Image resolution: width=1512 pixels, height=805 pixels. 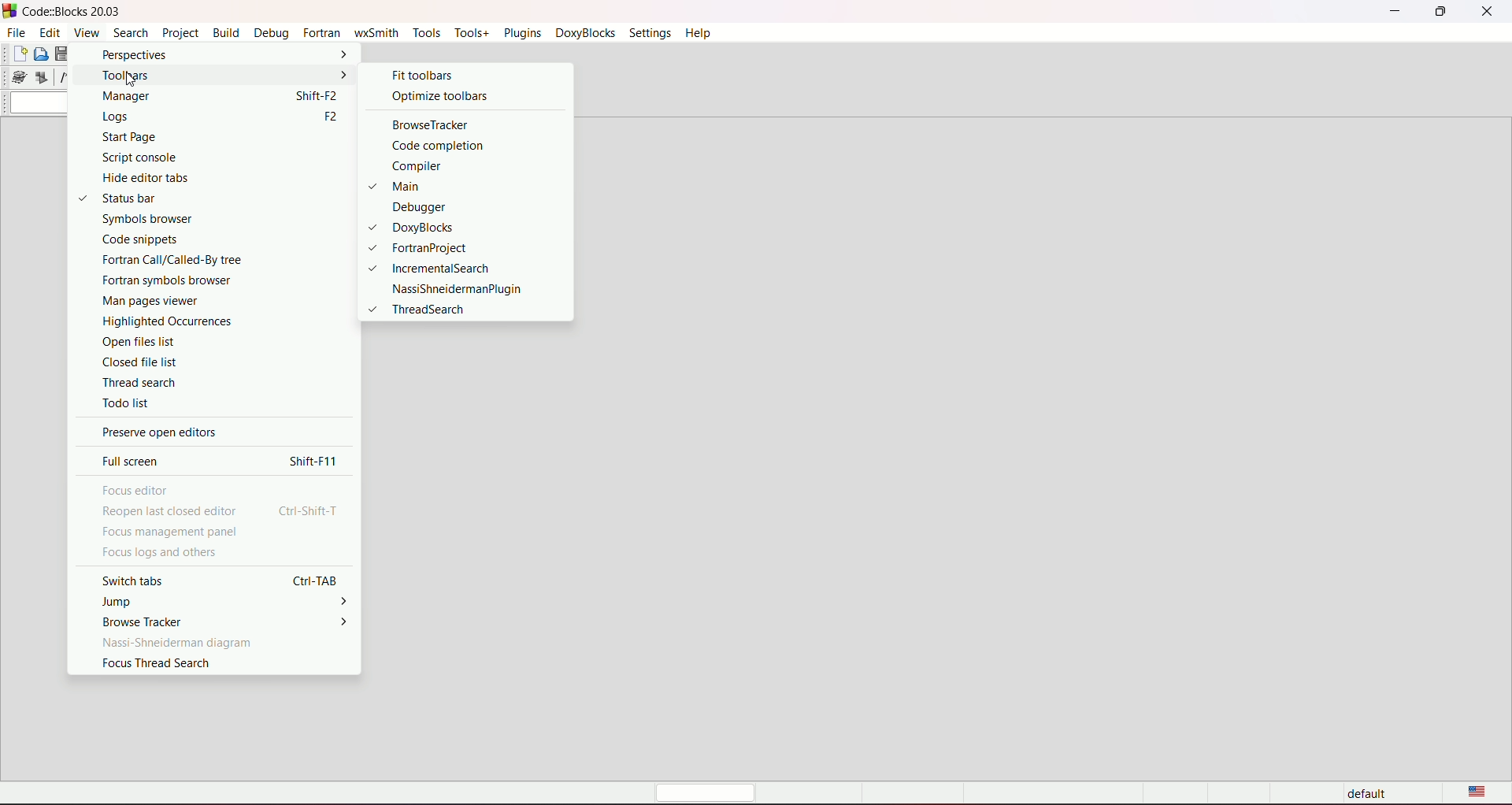 What do you see at coordinates (521, 33) in the screenshot?
I see `plugins` at bounding box center [521, 33].